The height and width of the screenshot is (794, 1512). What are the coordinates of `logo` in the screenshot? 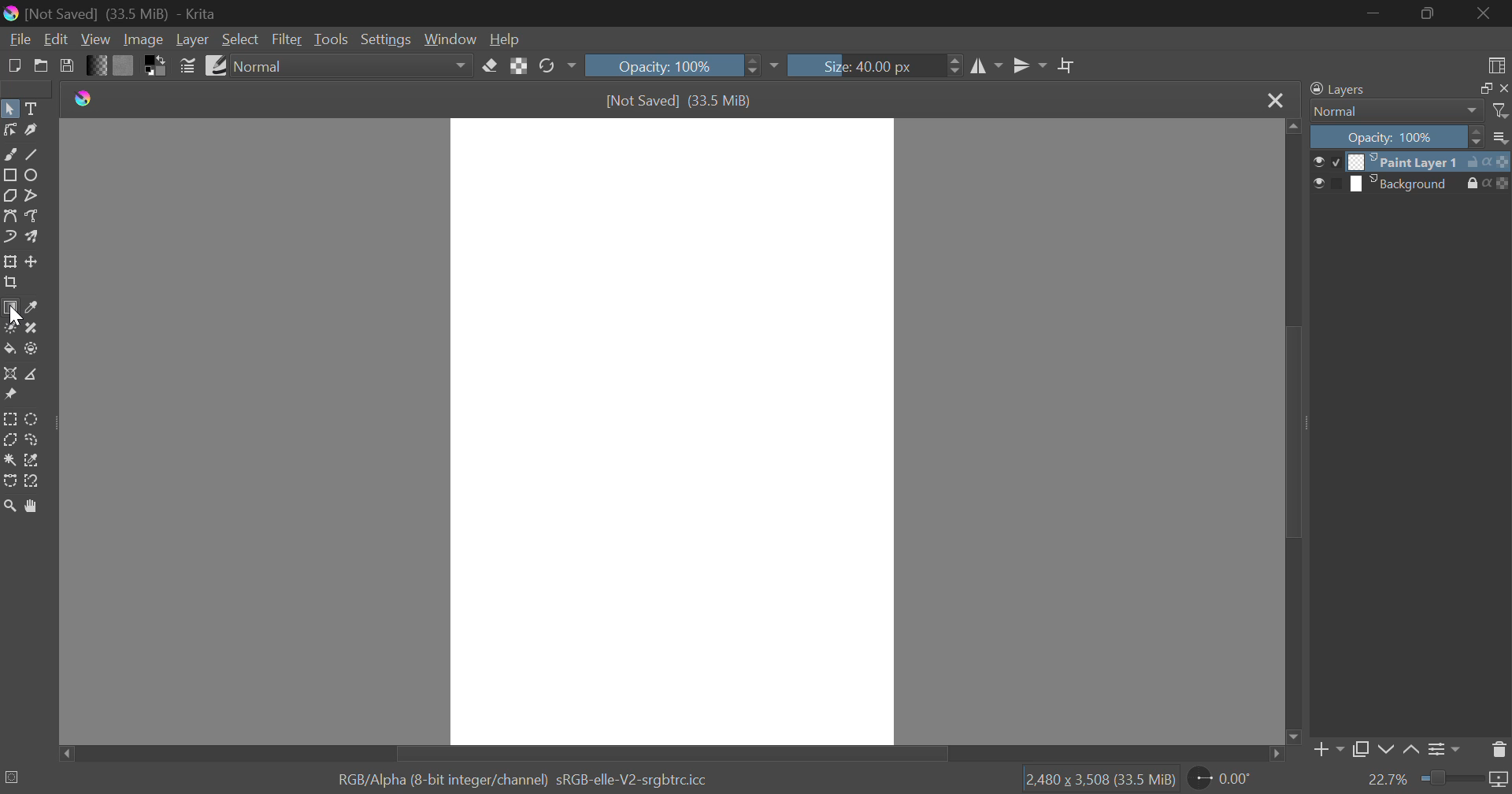 It's located at (87, 98).